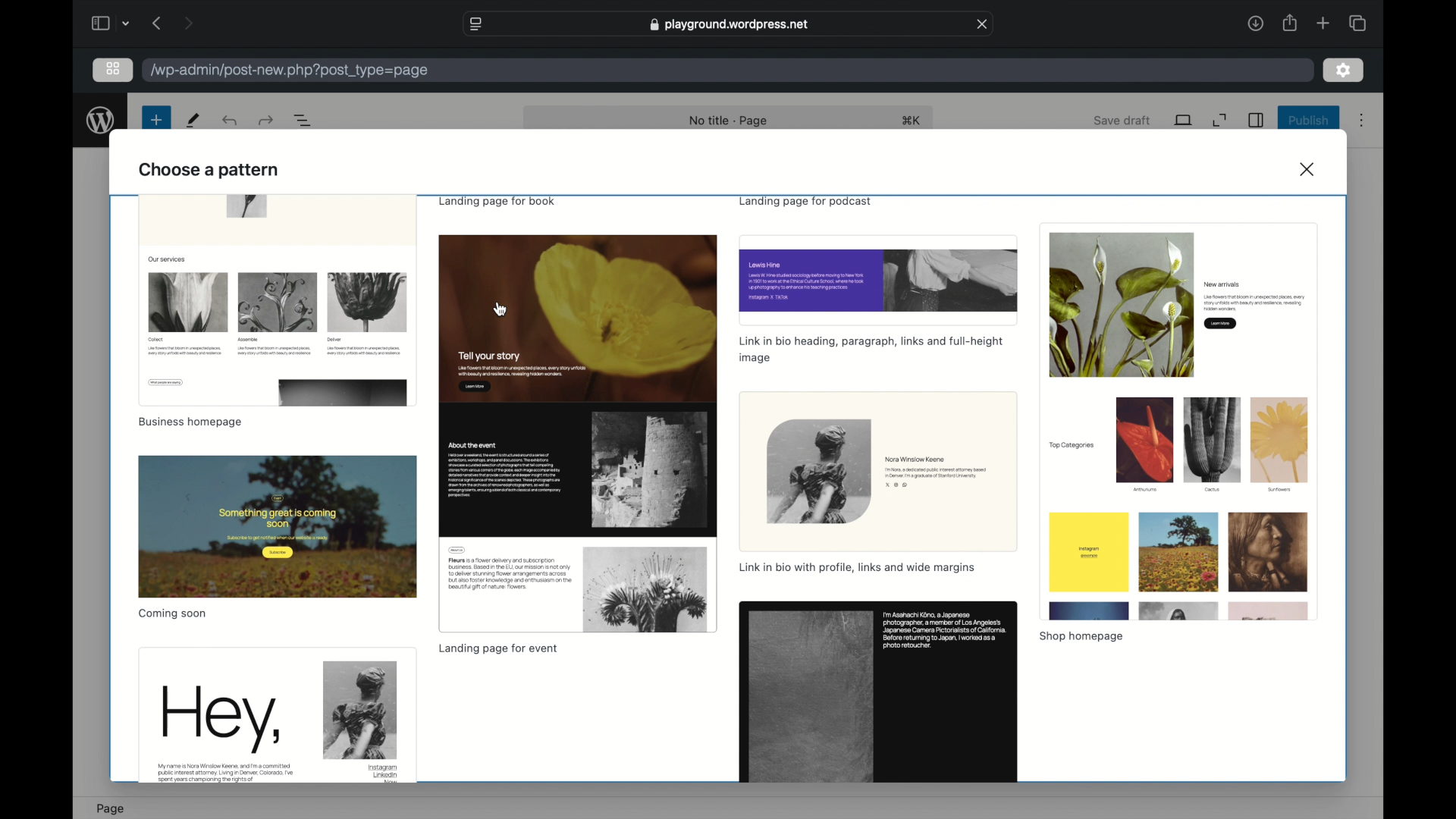  Describe the element at coordinates (577, 435) in the screenshot. I see `preview` at that location.